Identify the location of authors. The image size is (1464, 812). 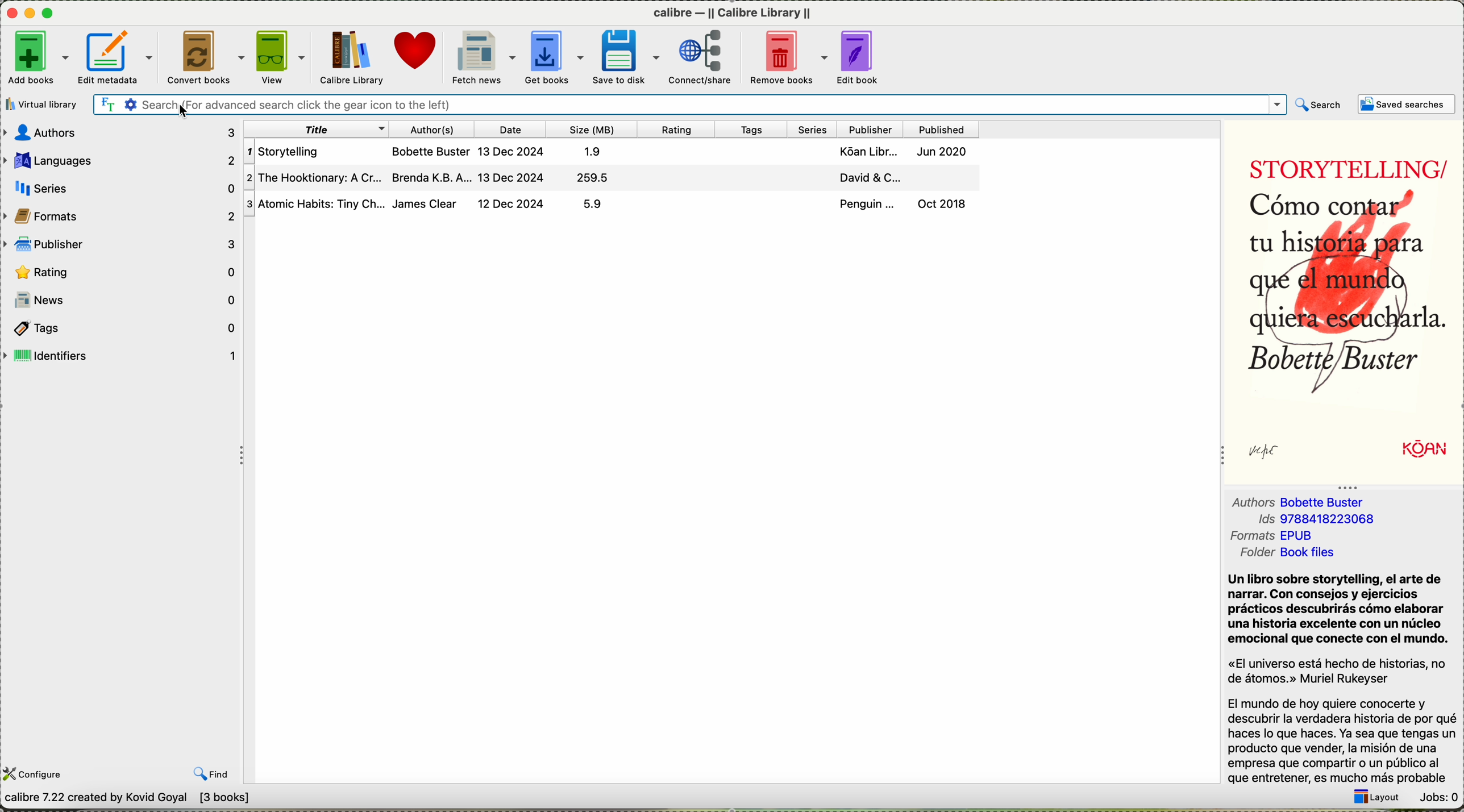
(435, 128).